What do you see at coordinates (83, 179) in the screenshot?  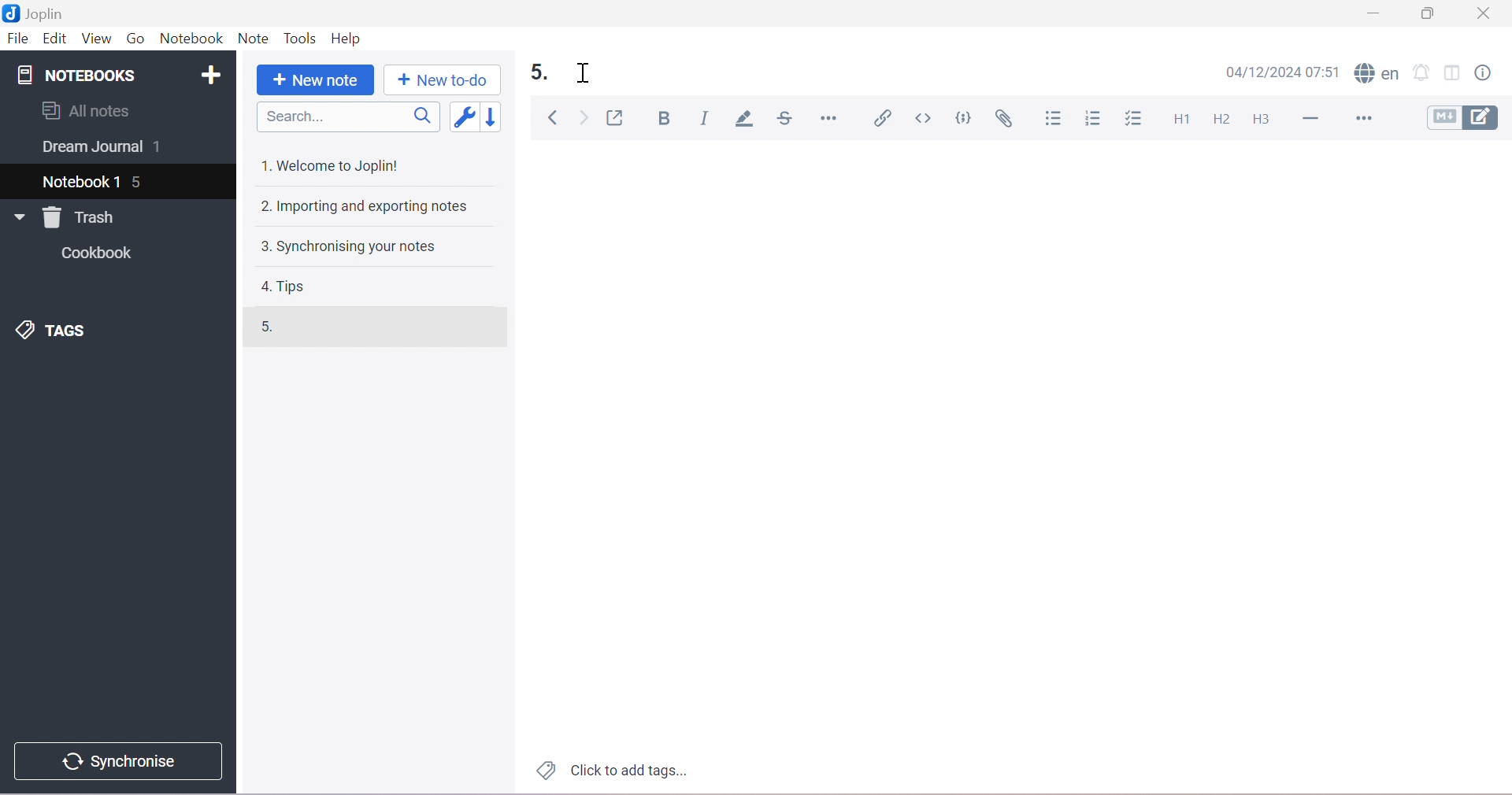 I see `Notebook 1` at bounding box center [83, 179].